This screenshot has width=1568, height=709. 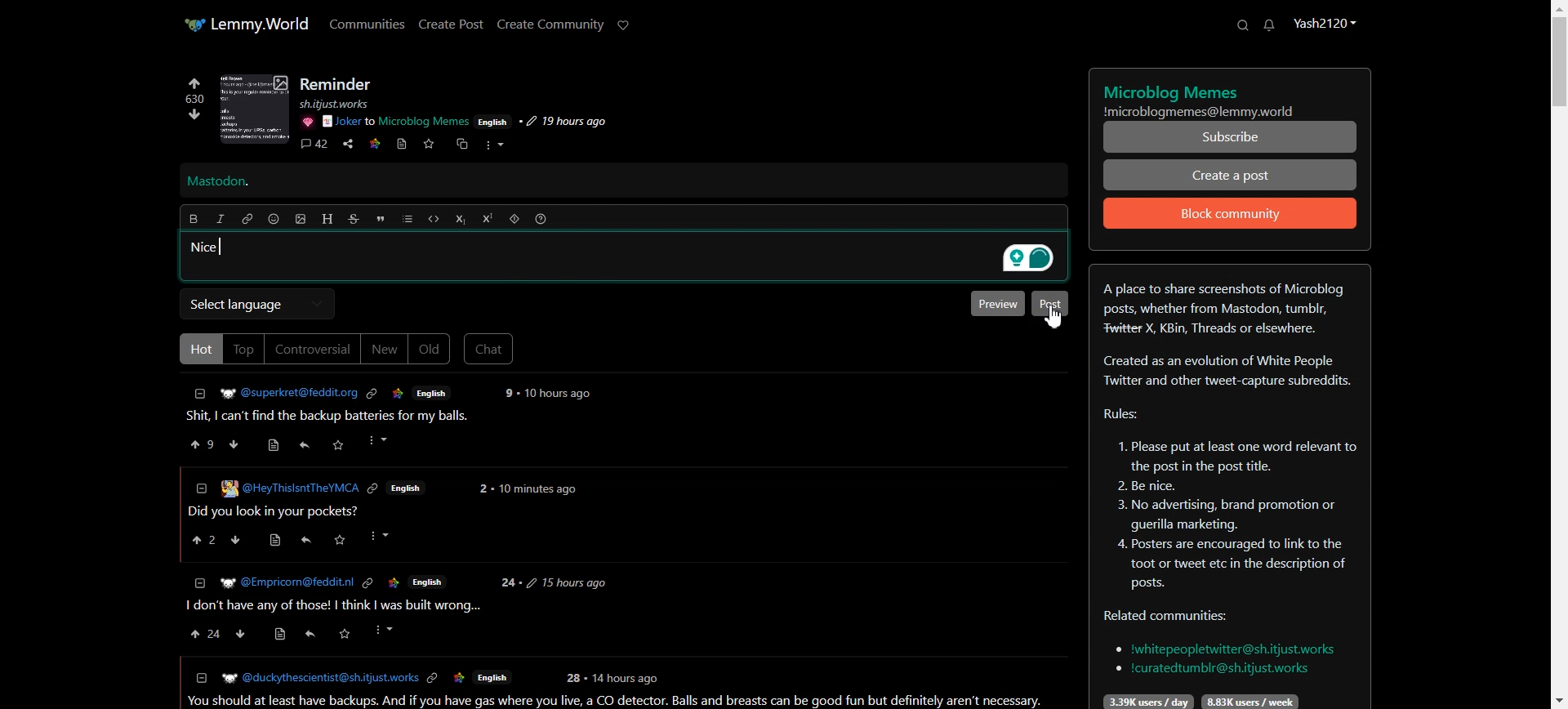 I want to click on a» 24, so click(x=203, y=634).